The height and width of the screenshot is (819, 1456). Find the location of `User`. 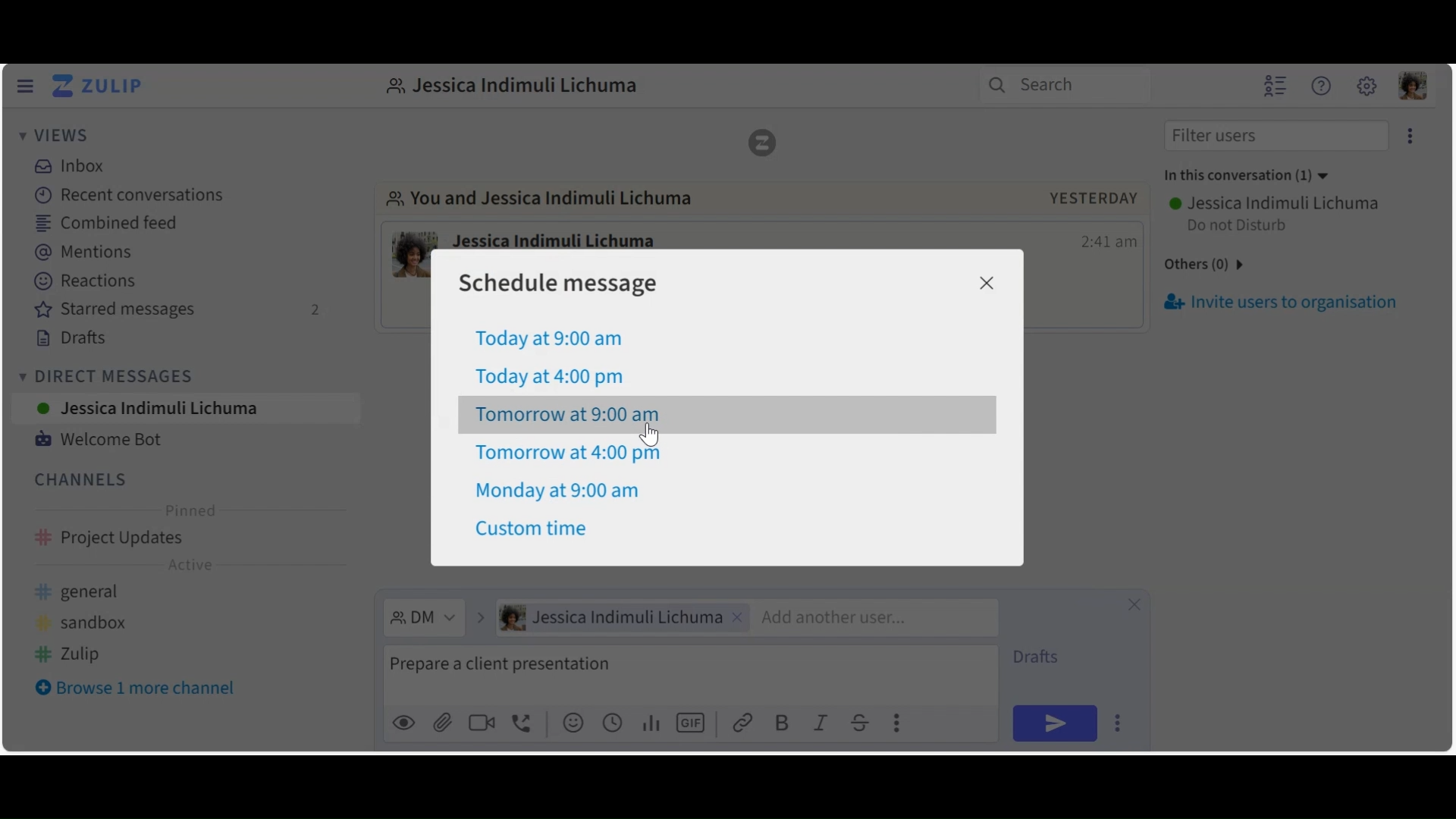

User is located at coordinates (618, 619).